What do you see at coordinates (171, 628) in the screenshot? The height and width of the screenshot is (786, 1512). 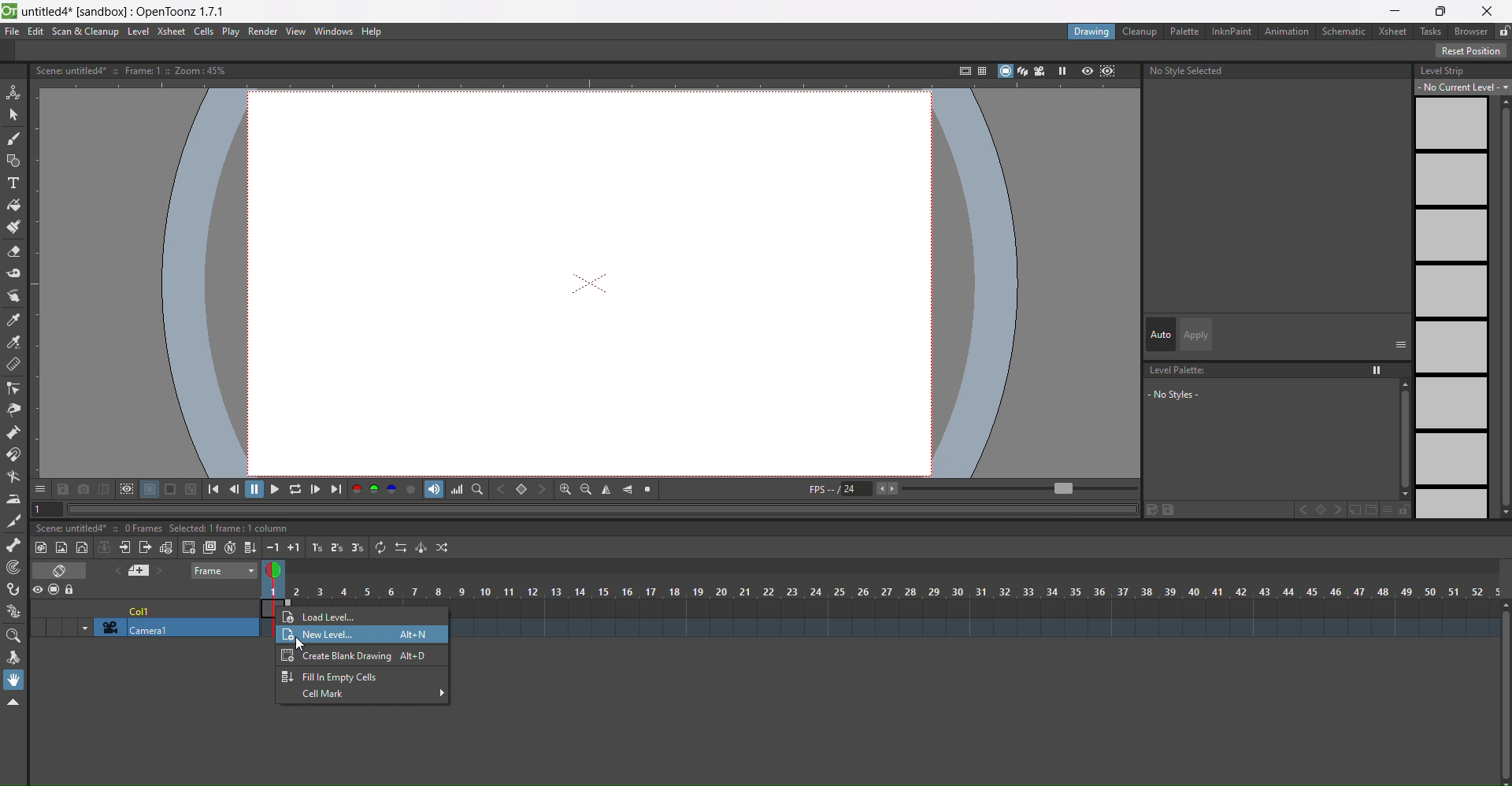 I see `camera1` at bounding box center [171, 628].